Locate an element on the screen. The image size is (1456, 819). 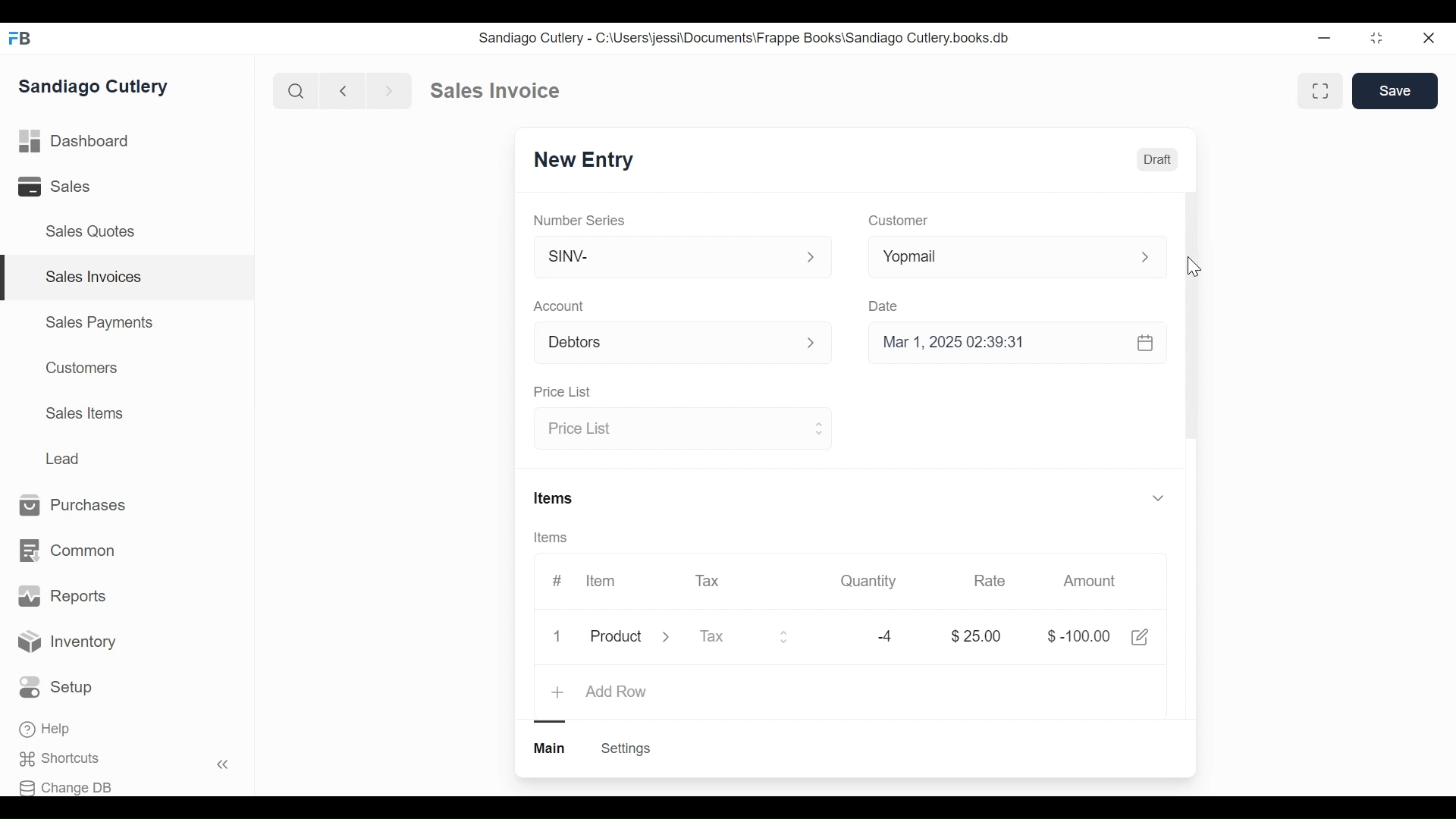
Sales Items is located at coordinates (84, 413).